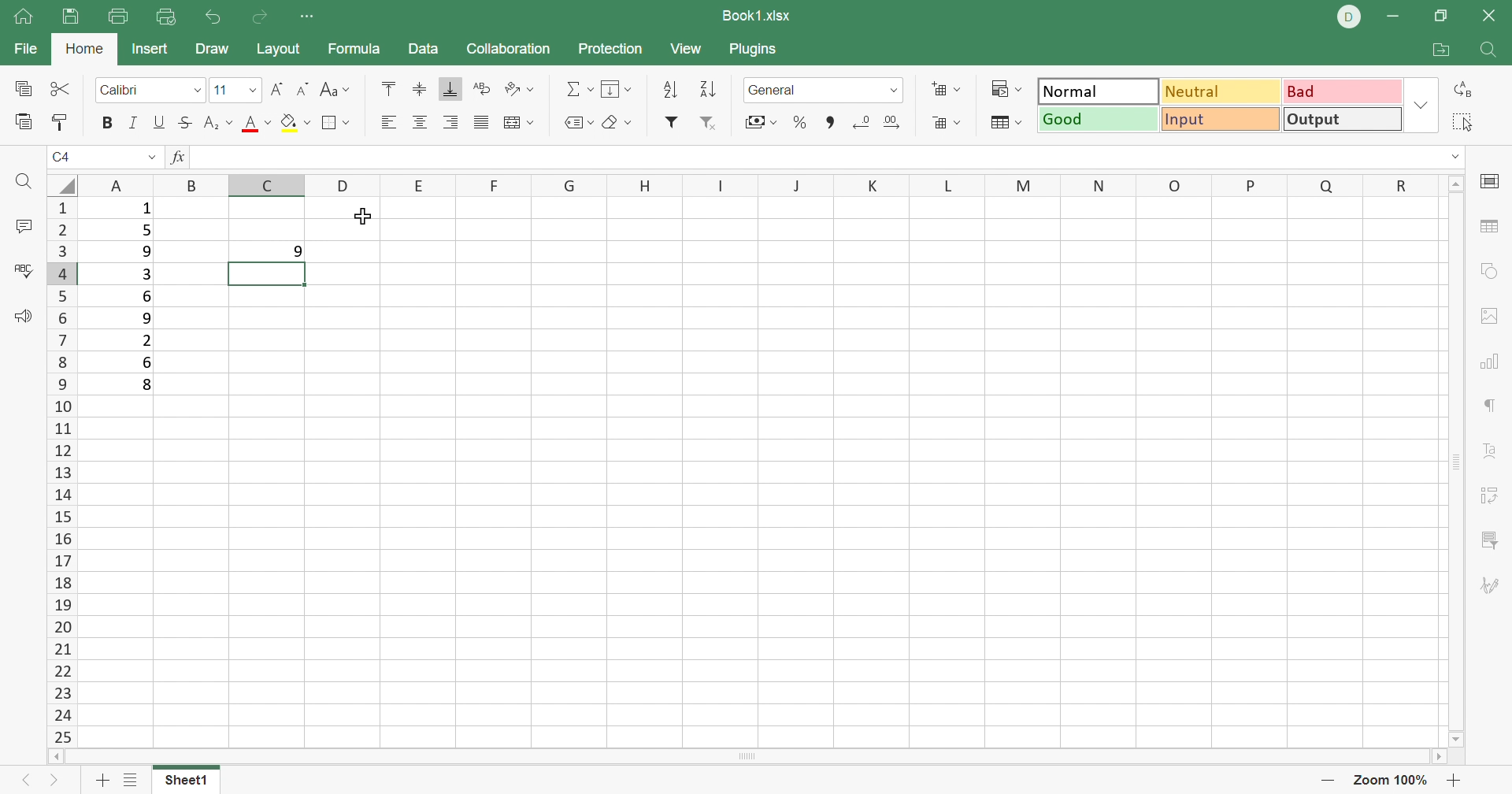  I want to click on Orientation, so click(521, 86).